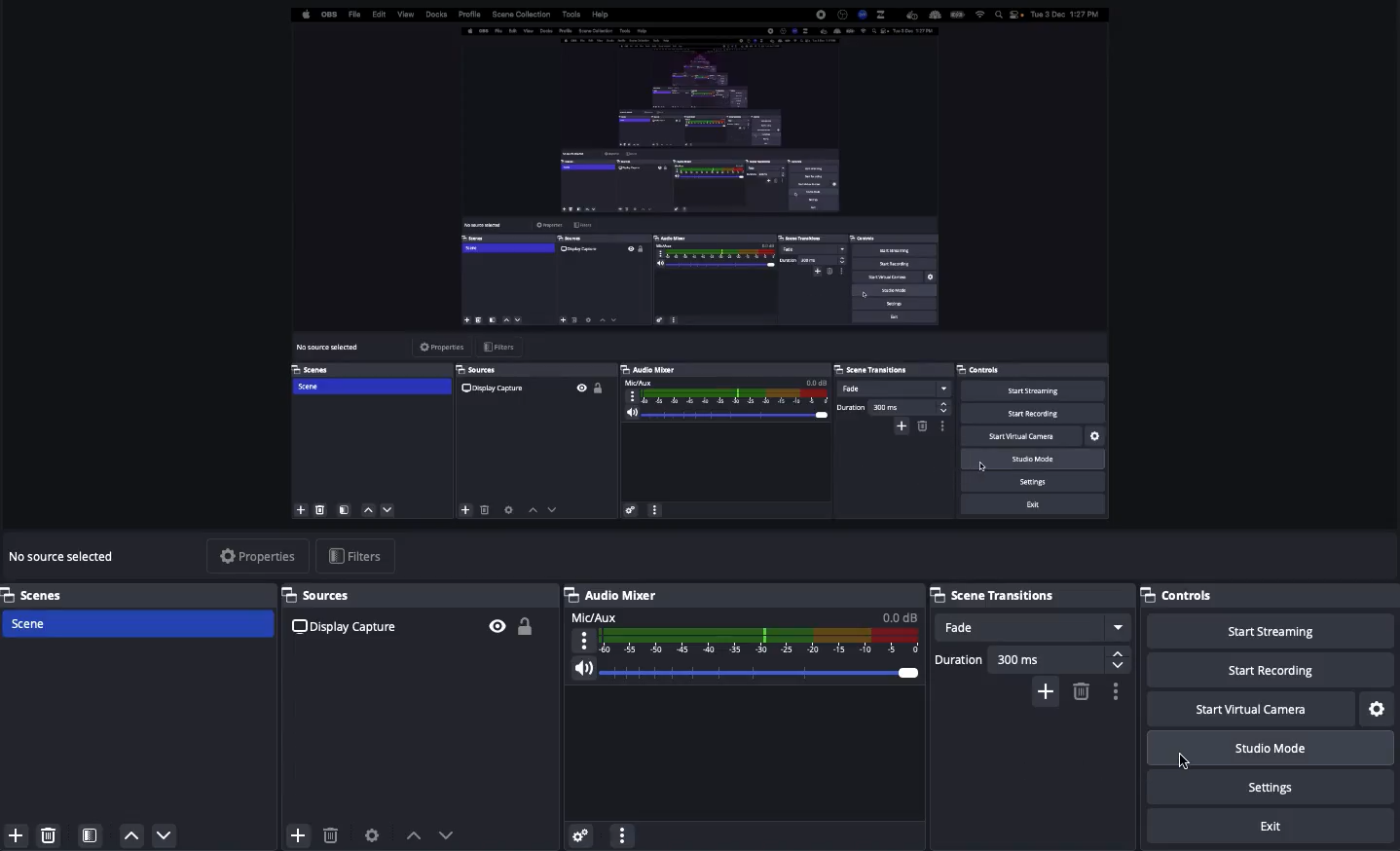  I want to click on Start recording, so click(1269, 669).